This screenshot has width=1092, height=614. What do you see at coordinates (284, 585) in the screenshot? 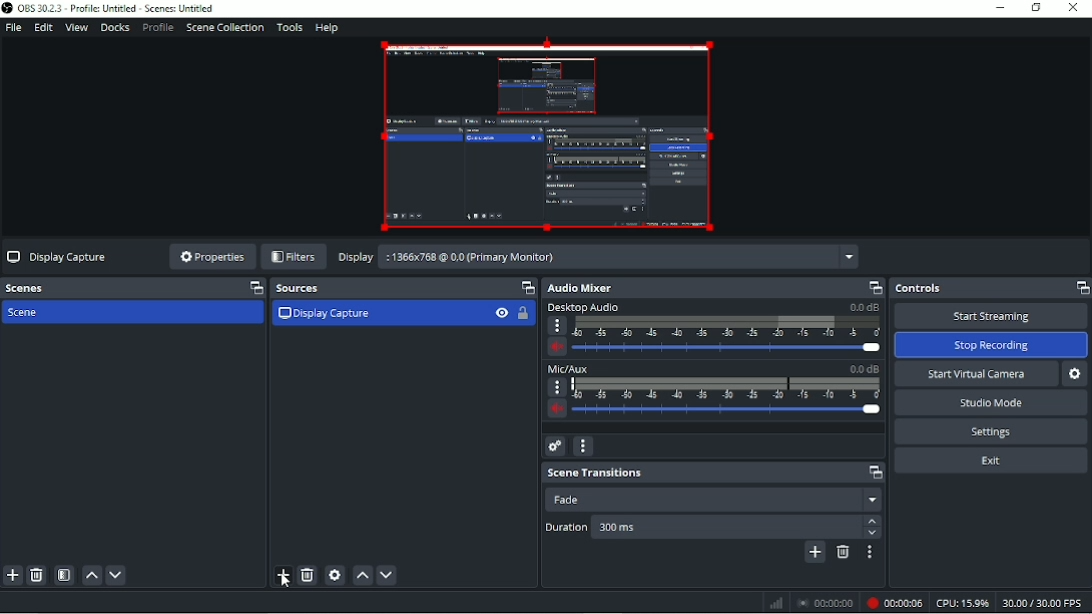
I see `Pointer` at bounding box center [284, 585].